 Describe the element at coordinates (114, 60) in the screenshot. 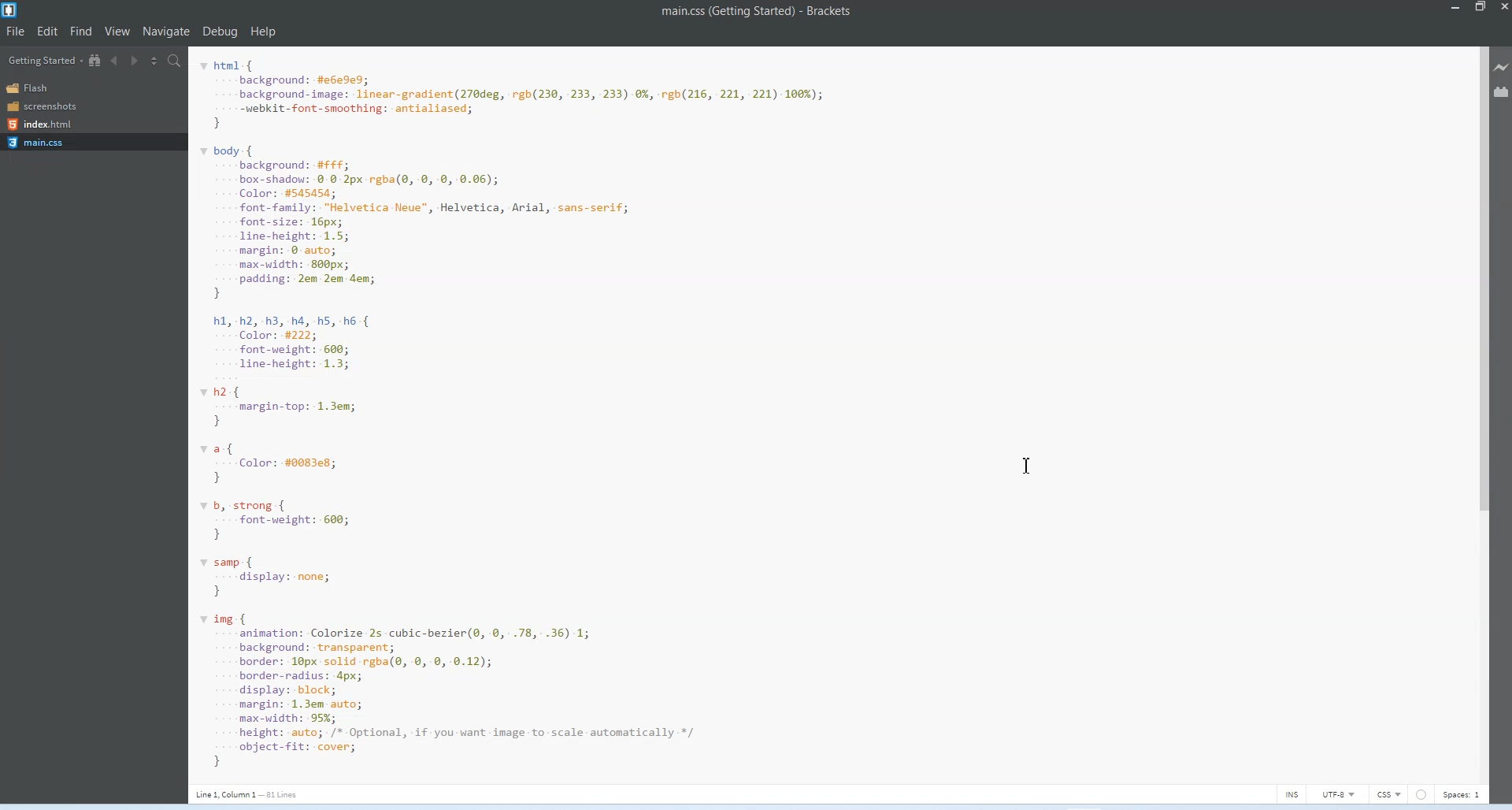

I see `Navigate Backwards ` at that location.